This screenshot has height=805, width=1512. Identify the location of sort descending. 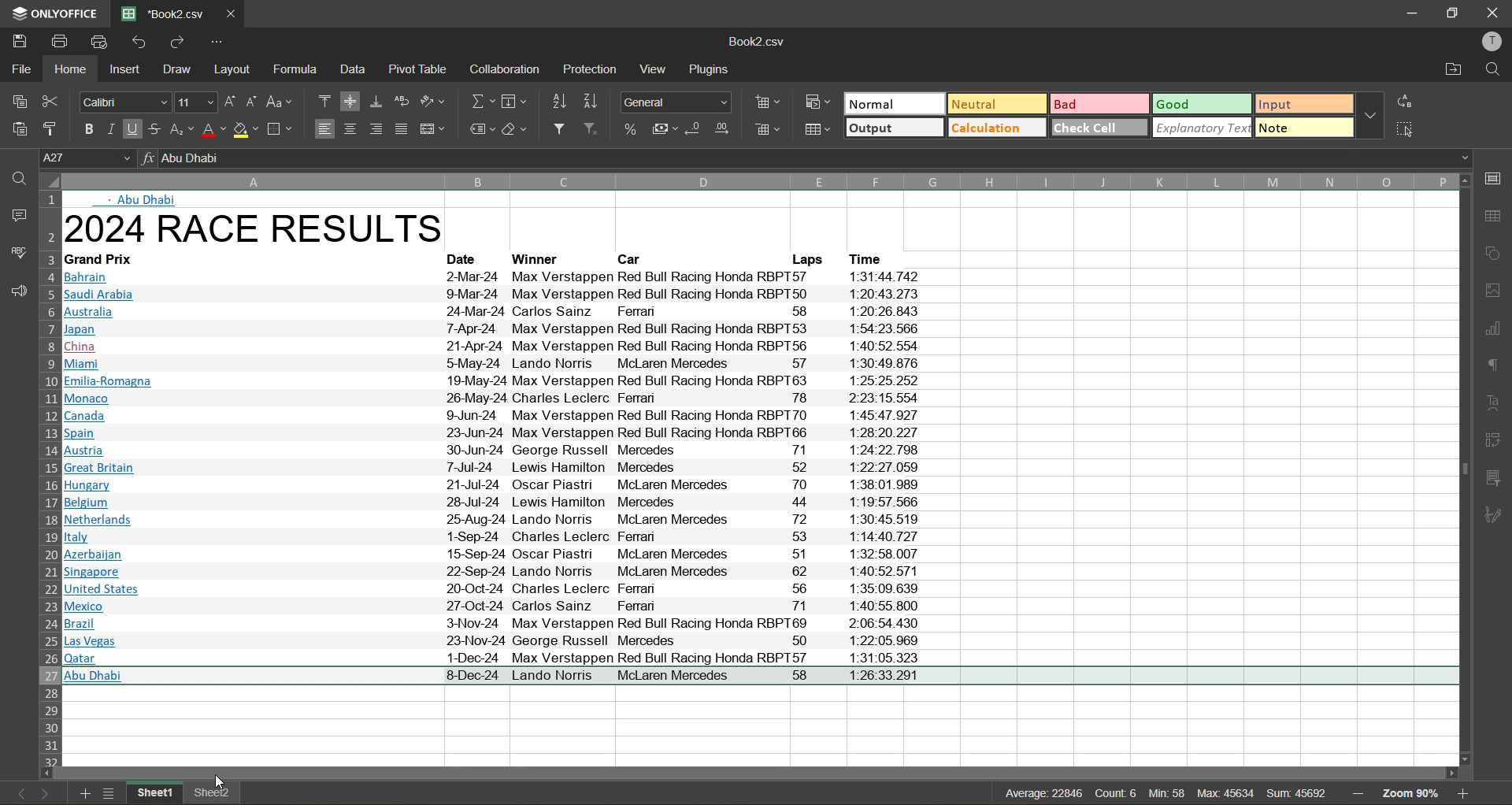
(591, 102).